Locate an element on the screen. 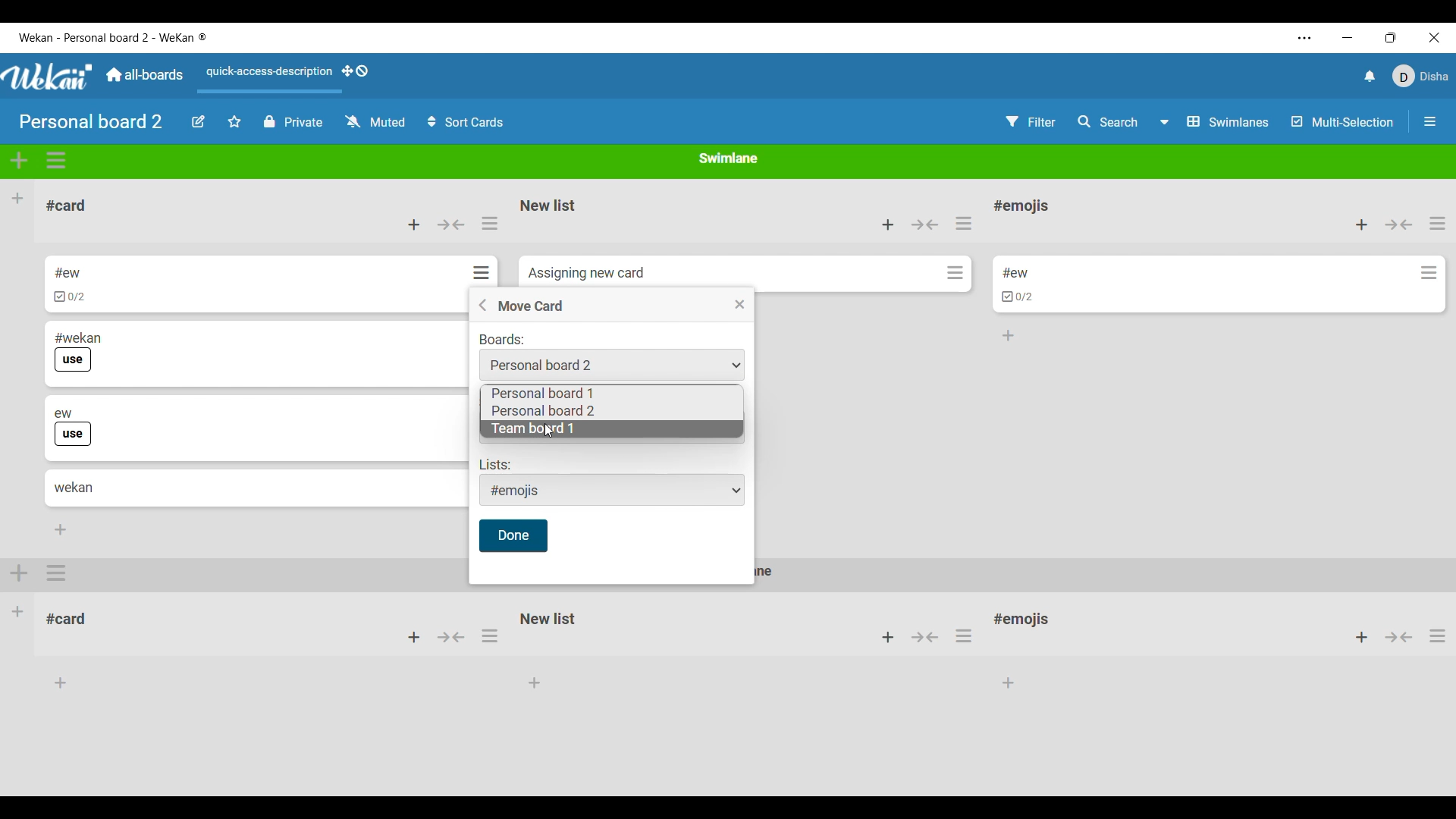 Image resolution: width=1456 pixels, height=819 pixels. Add card to top of list is located at coordinates (414, 224).